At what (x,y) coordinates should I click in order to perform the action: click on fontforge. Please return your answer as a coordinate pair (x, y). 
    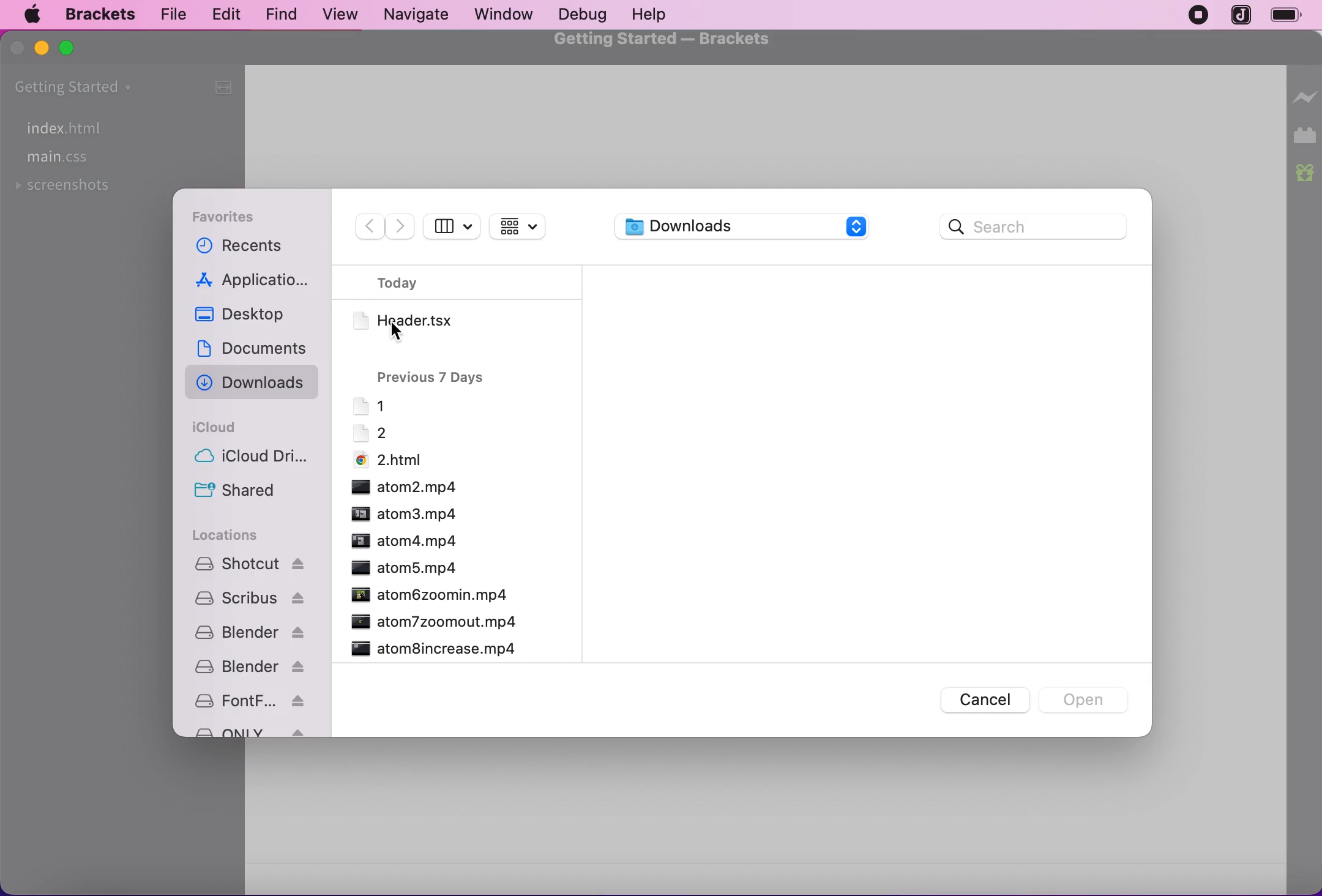
    Looking at the image, I should click on (249, 700).